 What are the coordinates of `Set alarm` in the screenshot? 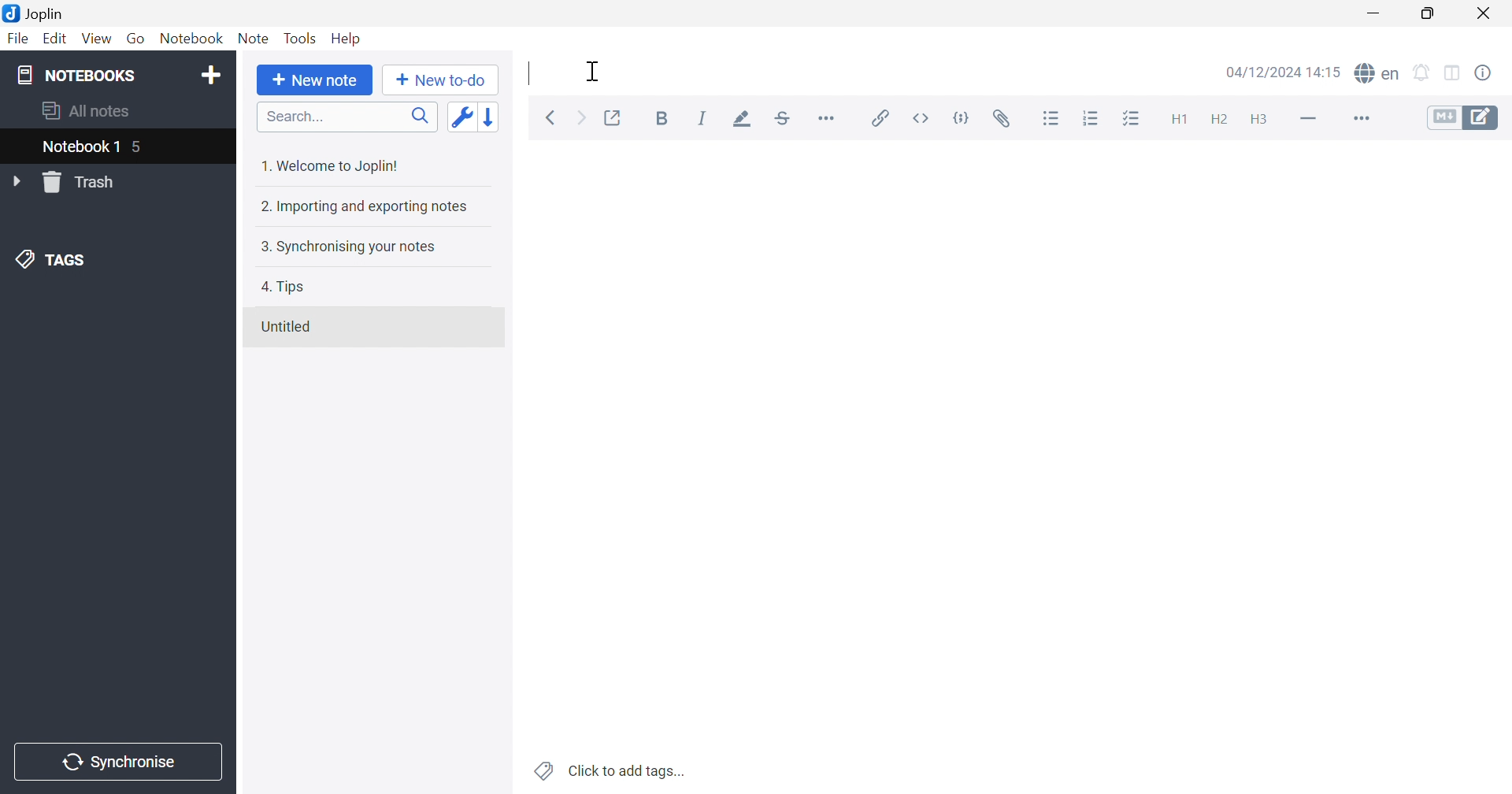 It's located at (1422, 73).